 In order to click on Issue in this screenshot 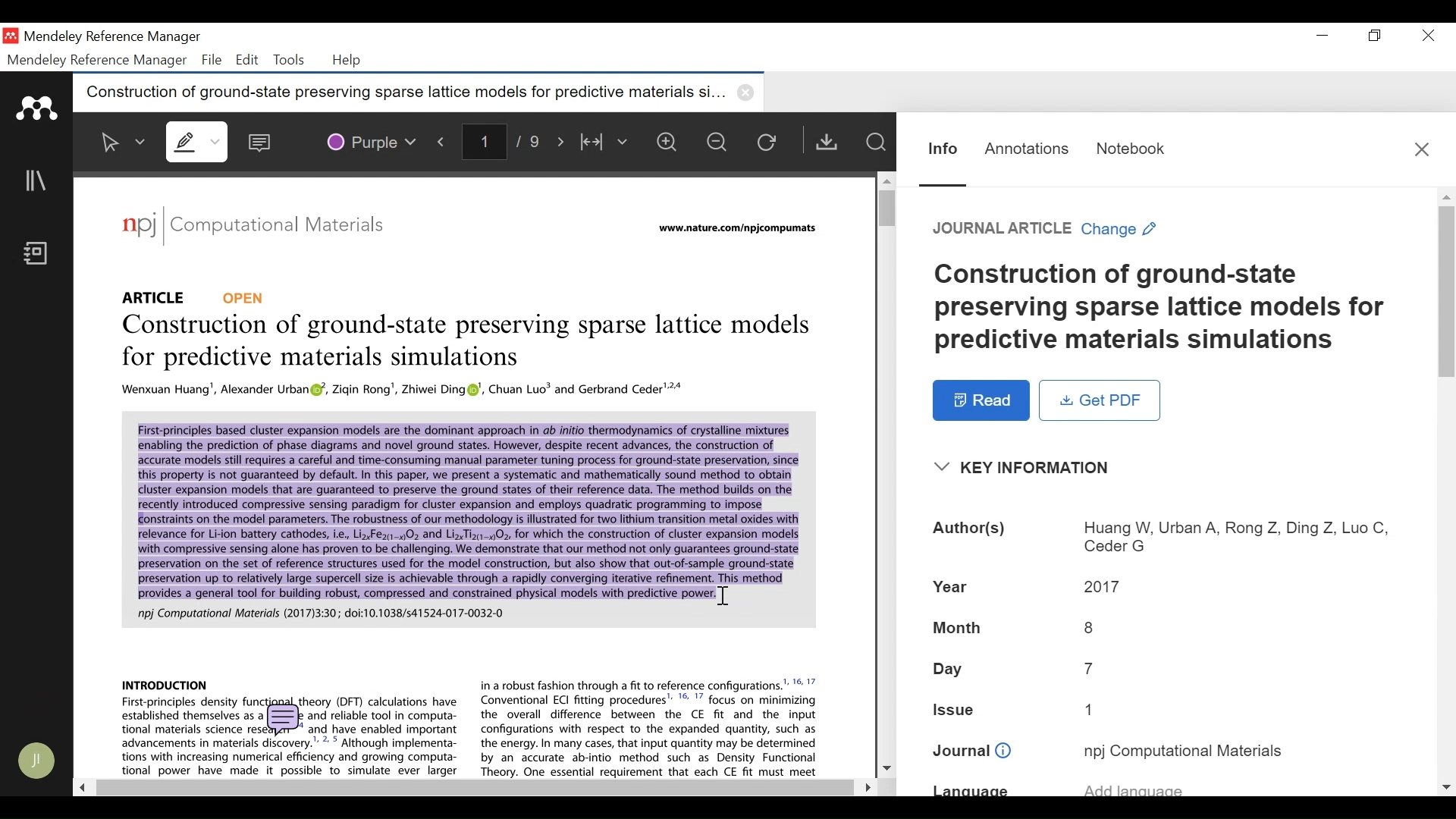, I will do `click(1095, 708)`.